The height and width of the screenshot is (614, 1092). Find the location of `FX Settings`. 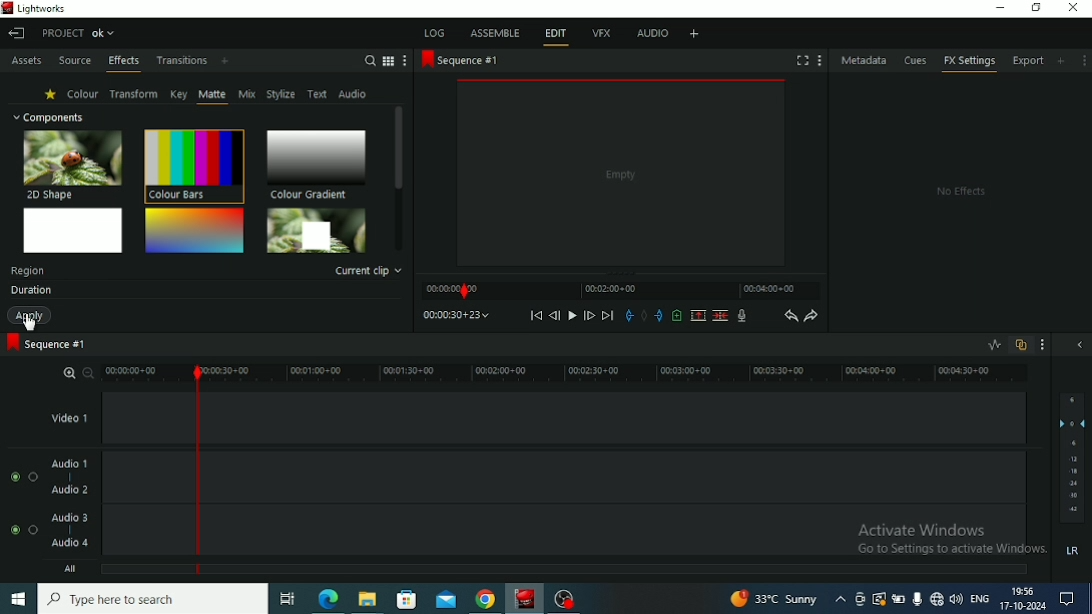

FX Settings is located at coordinates (969, 63).